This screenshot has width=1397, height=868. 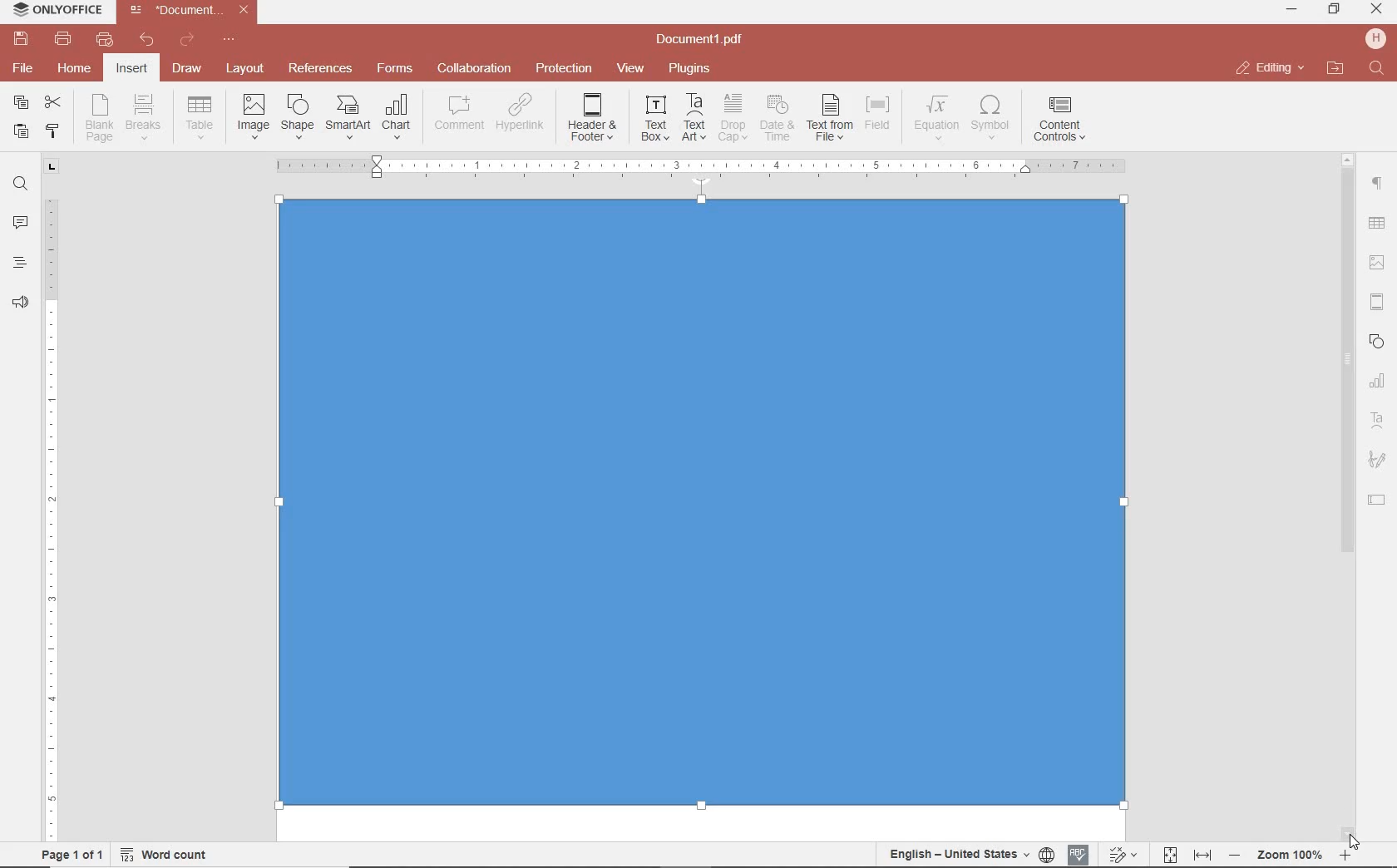 What do you see at coordinates (19, 39) in the screenshot?
I see `save` at bounding box center [19, 39].